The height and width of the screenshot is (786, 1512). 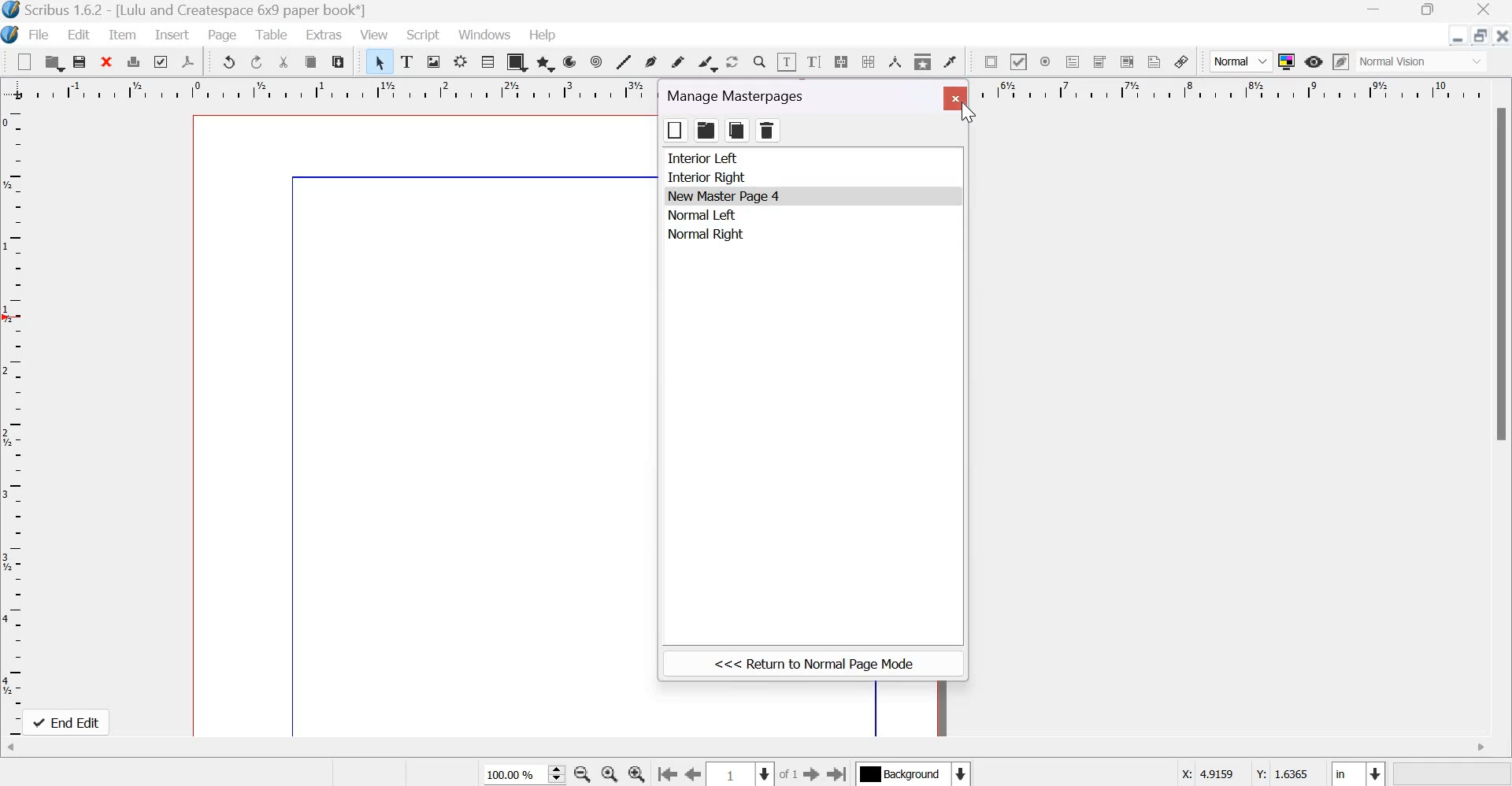 What do you see at coordinates (380, 62) in the screenshot?
I see `Select item` at bounding box center [380, 62].